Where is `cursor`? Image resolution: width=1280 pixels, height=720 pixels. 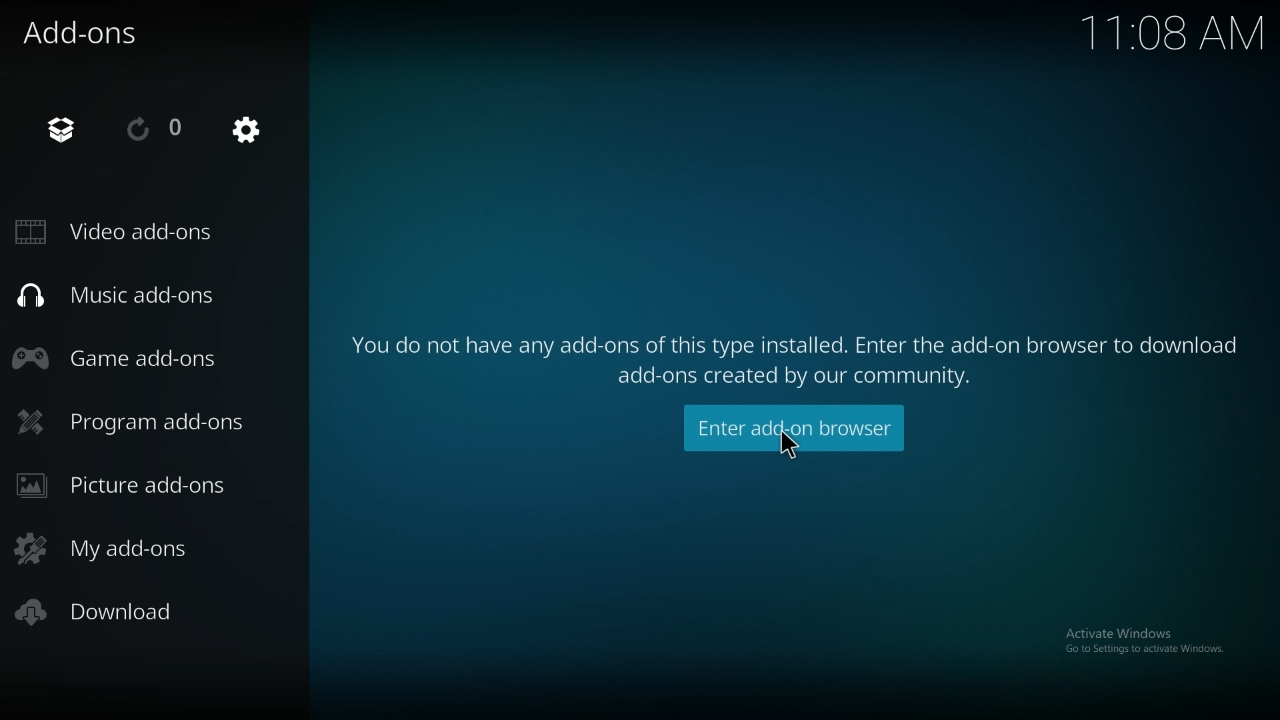 cursor is located at coordinates (787, 445).